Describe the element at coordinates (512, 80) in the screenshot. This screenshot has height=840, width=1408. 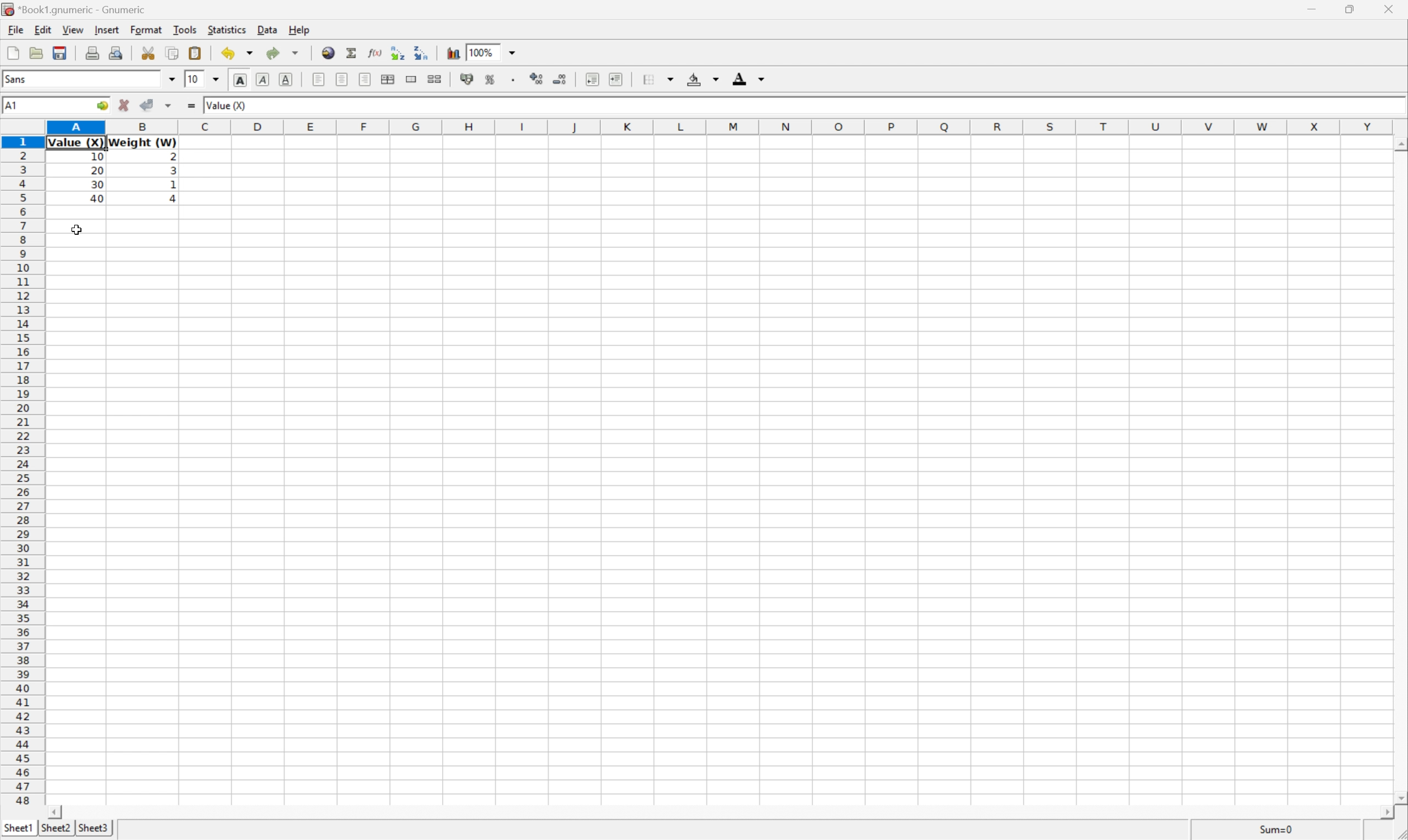
I see `Set the format of the selected cells to include a thousands separator` at that location.